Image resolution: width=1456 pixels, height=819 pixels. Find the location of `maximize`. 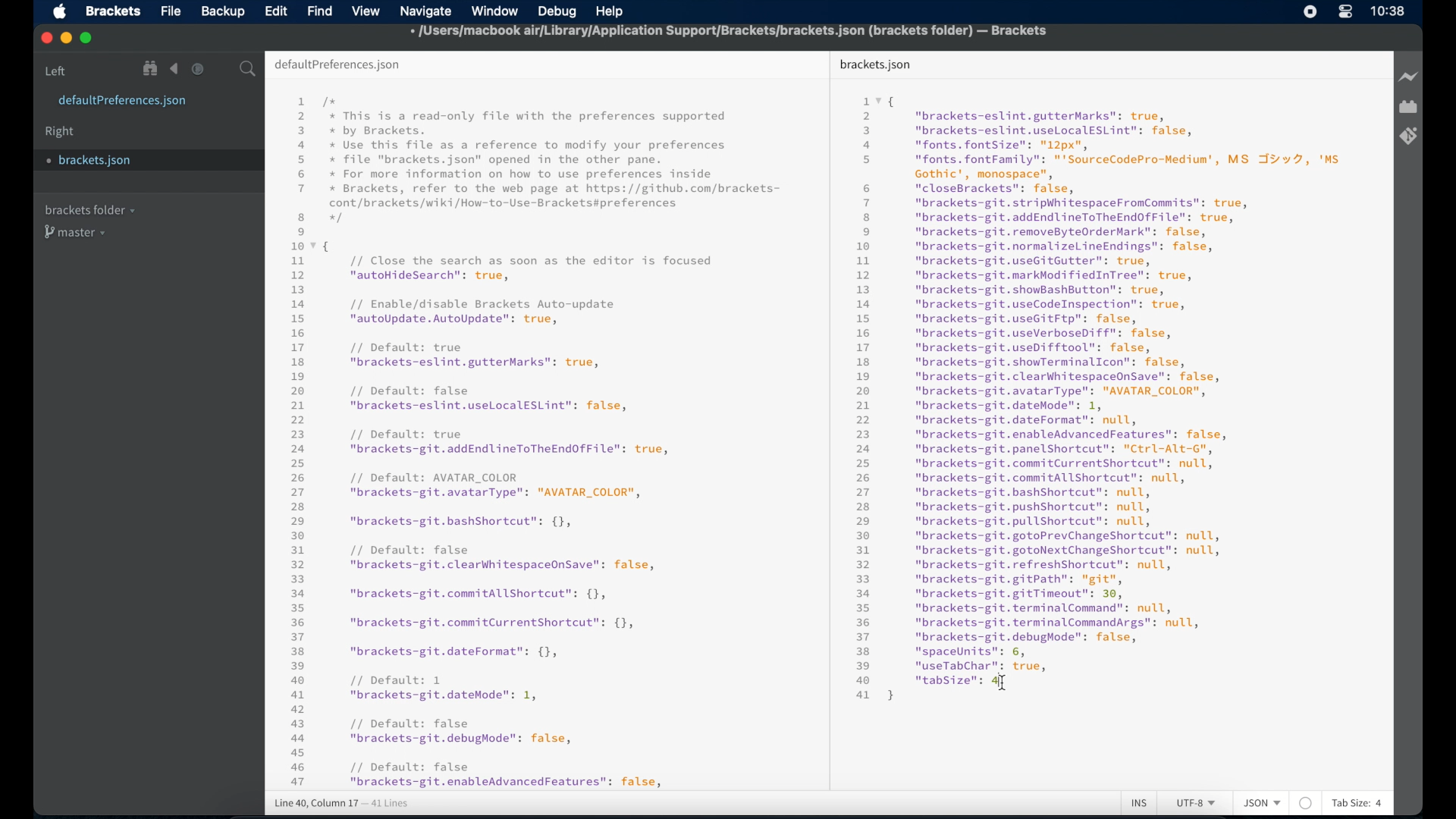

maximize is located at coordinates (87, 39).